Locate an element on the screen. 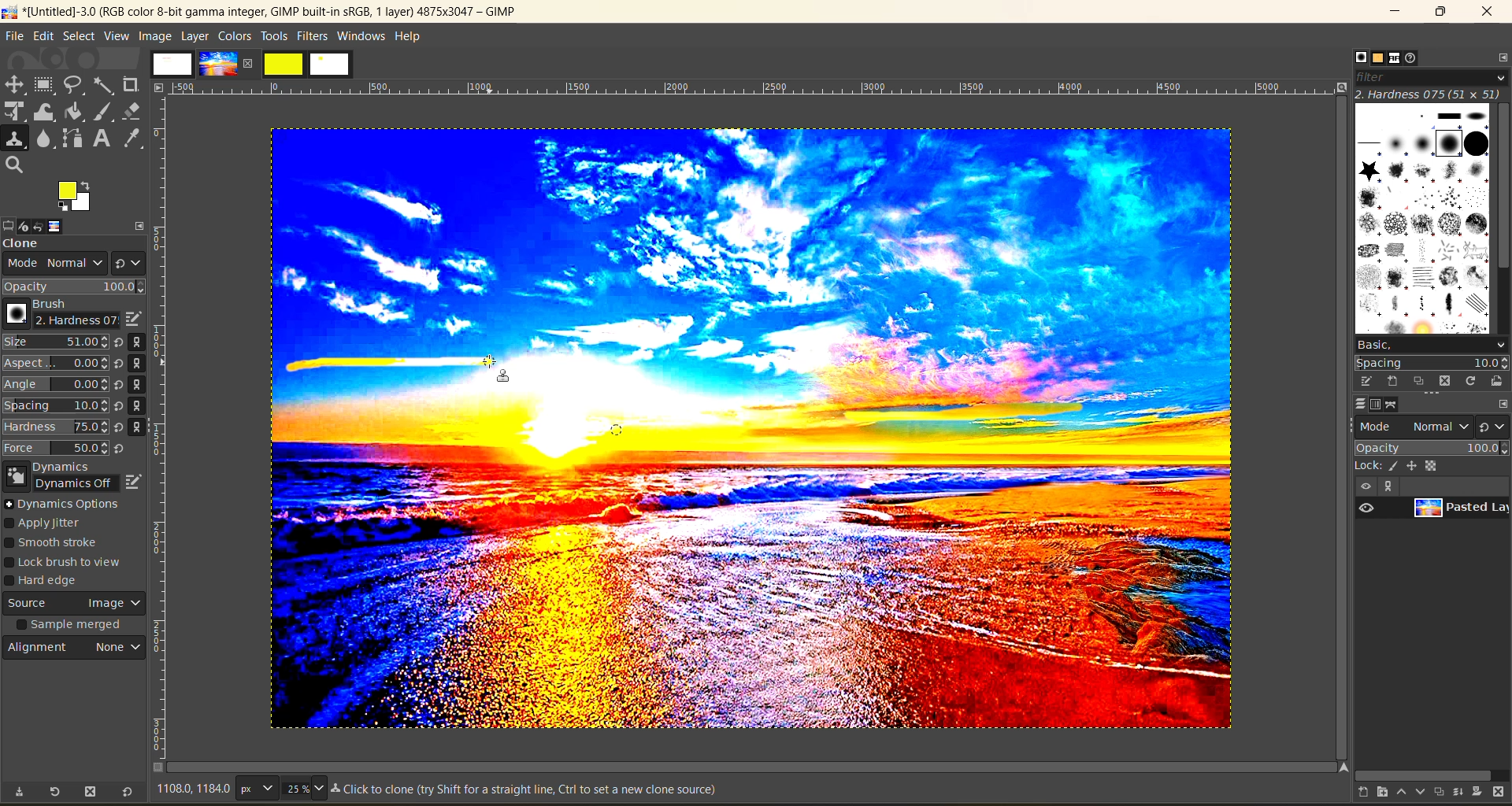 This screenshot has width=1512, height=806. close is located at coordinates (251, 63).